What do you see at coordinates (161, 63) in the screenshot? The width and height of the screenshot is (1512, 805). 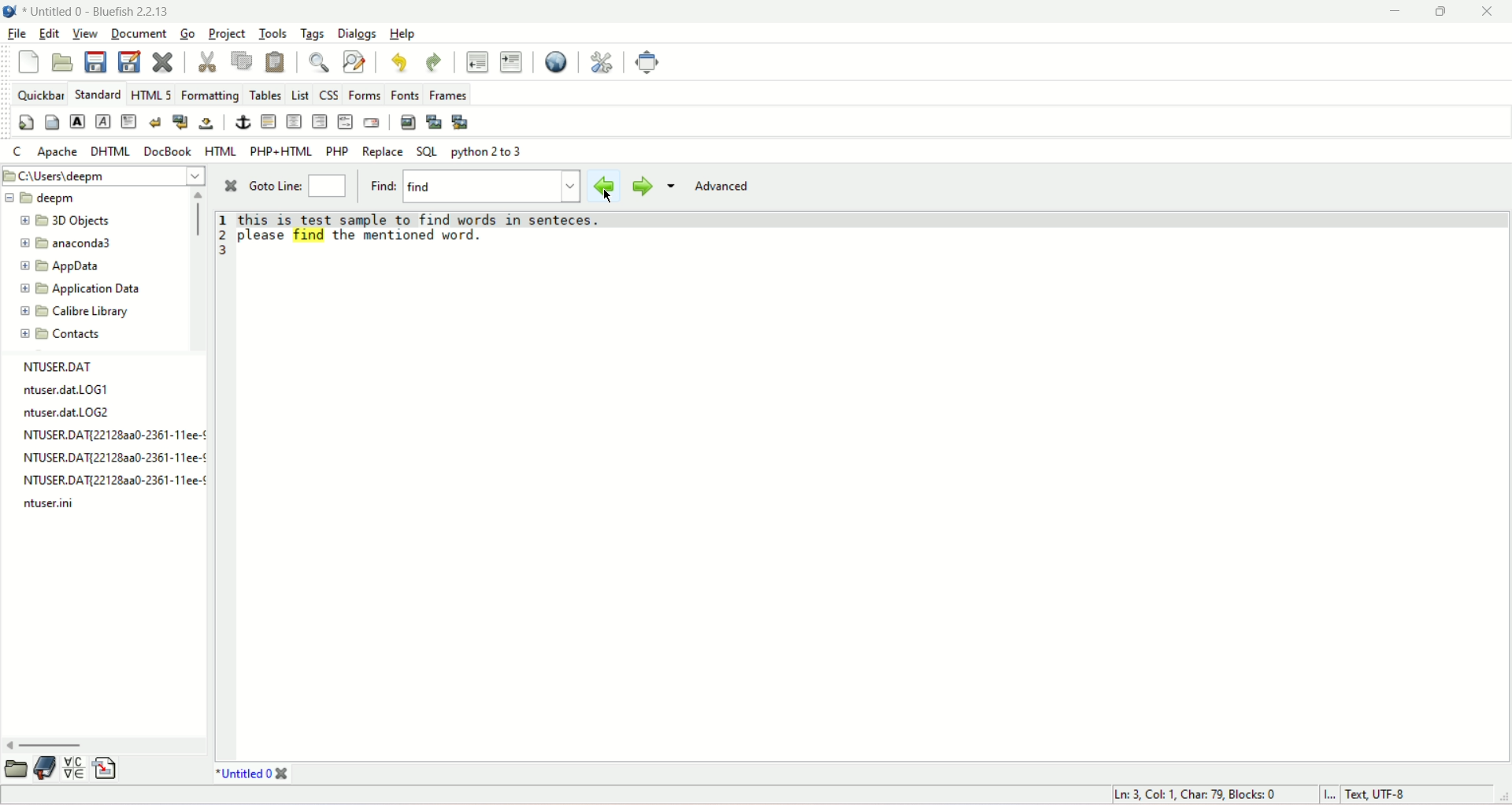 I see `close current file` at bounding box center [161, 63].